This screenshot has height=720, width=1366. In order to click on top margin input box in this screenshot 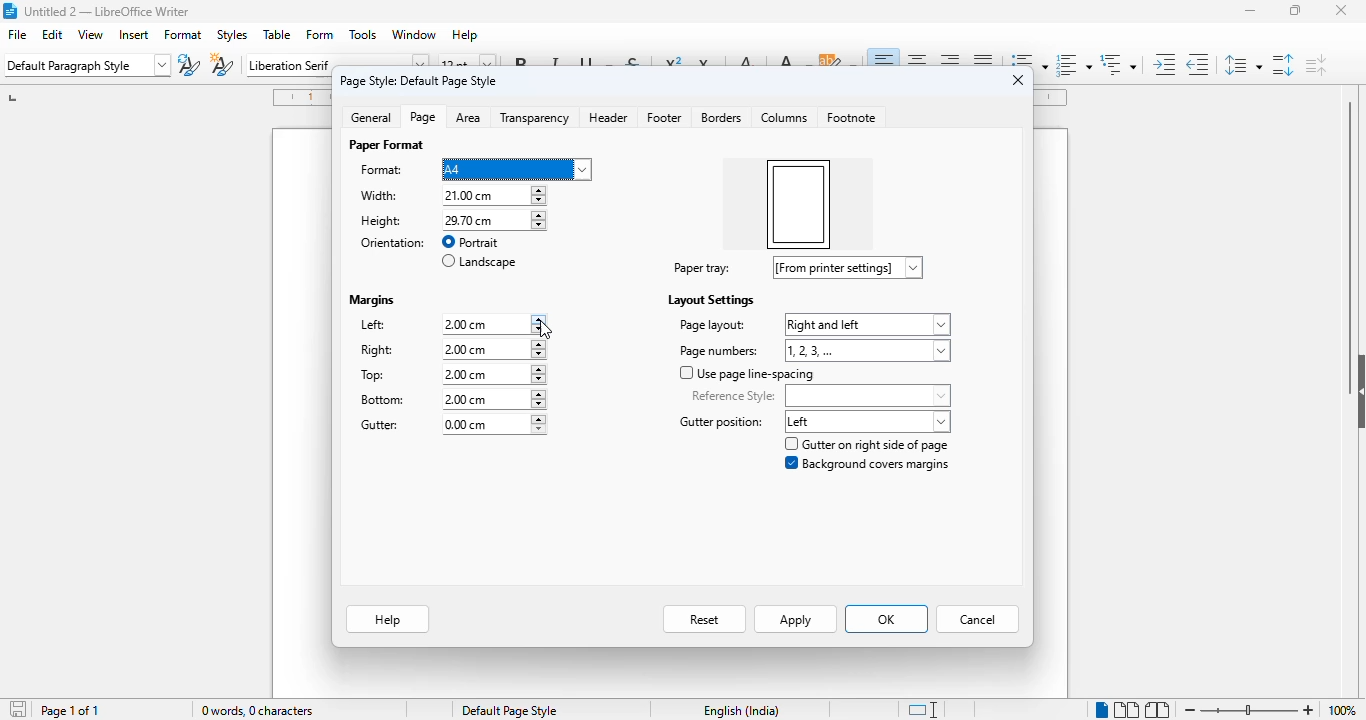, I will do `click(482, 373)`.